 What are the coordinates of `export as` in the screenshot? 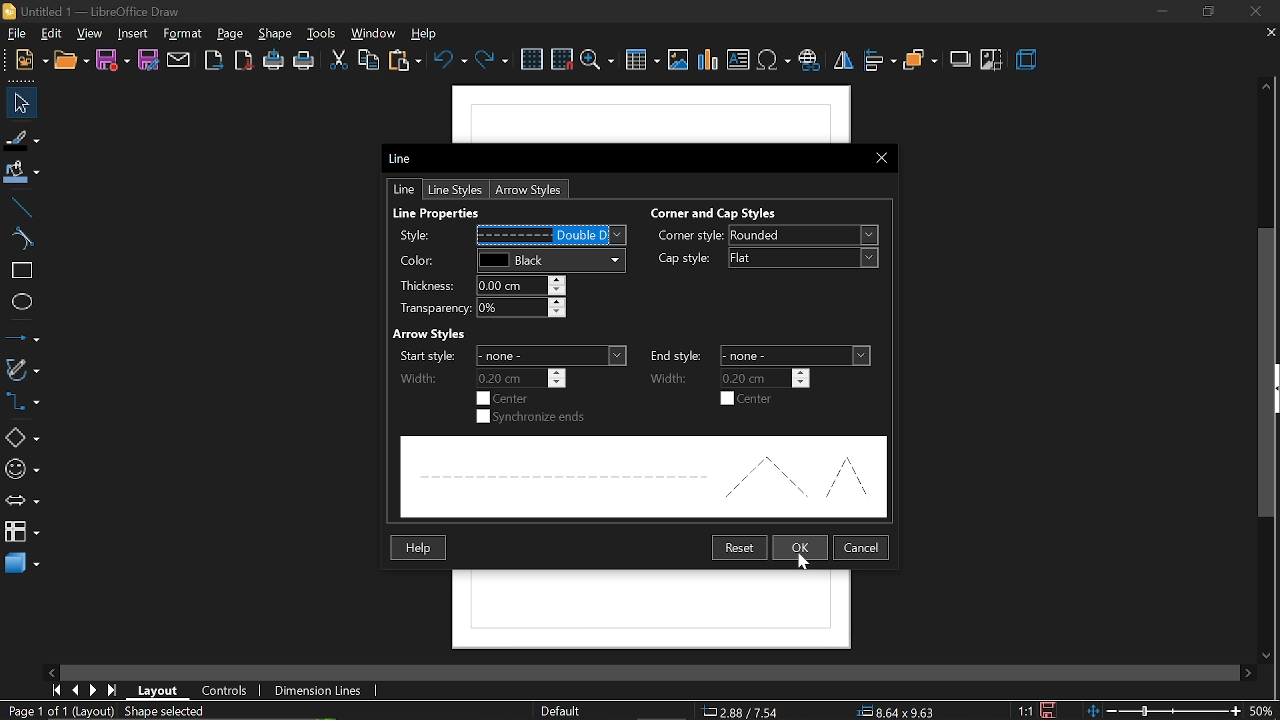 It's located at (242, 62).